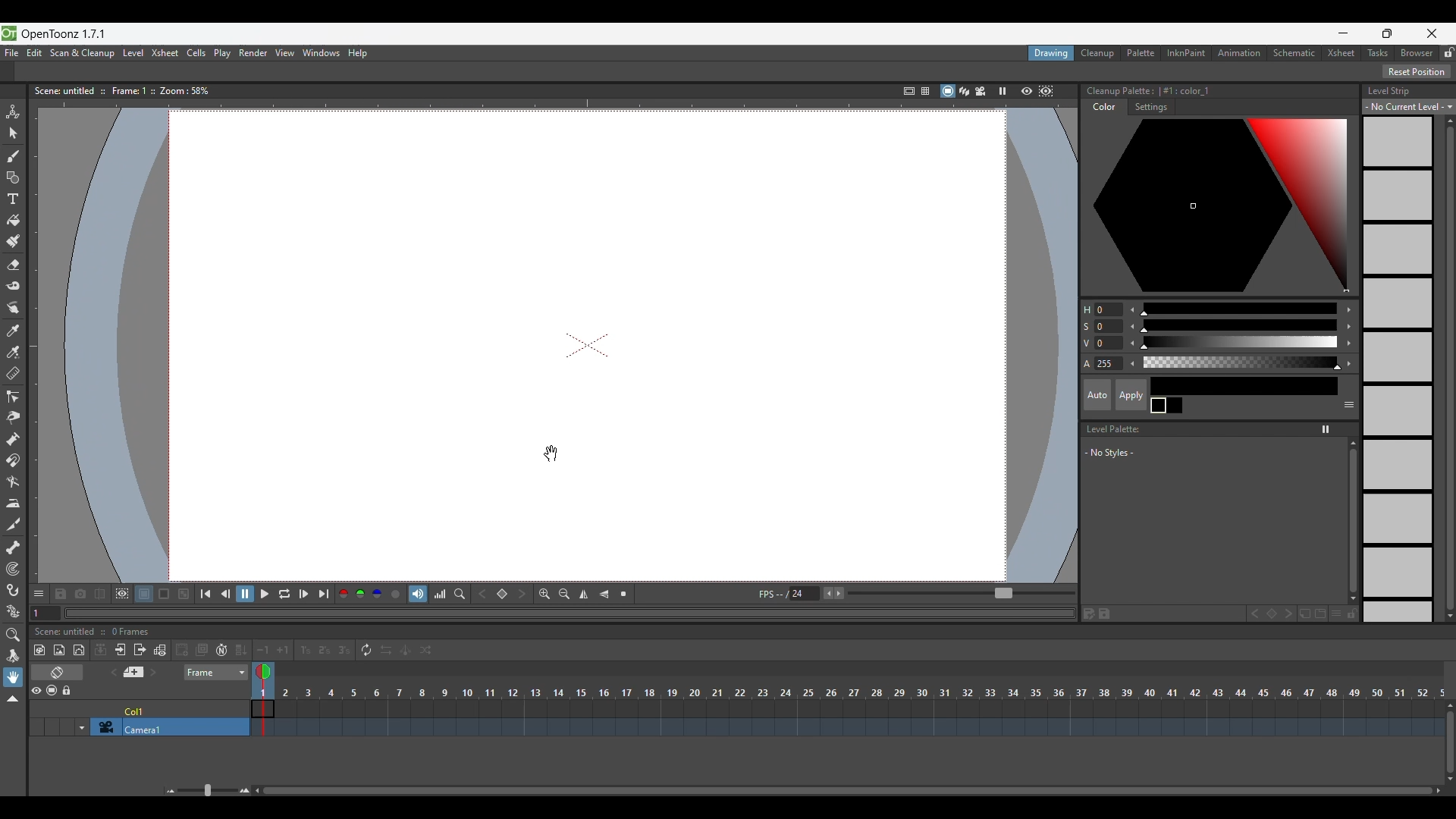  Describe the element at coordinates (11, 686) in the screenshot. I see `Cursor clicking on hand tool` at that location.